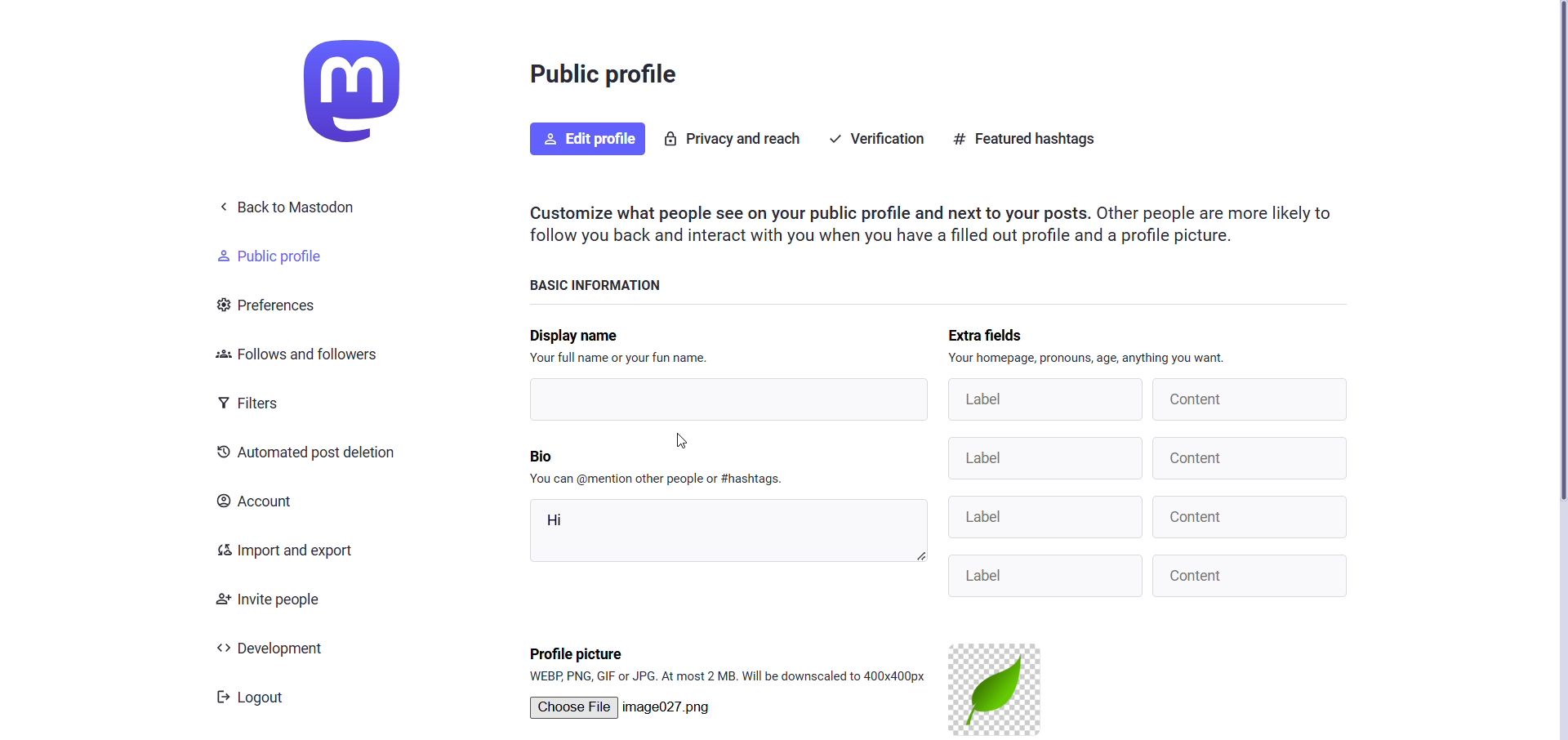 The height and width of the screenshot is (740, 1568). Describe the element at coordinates (254, 698) in the screenshot. I see `Logout` at that location.